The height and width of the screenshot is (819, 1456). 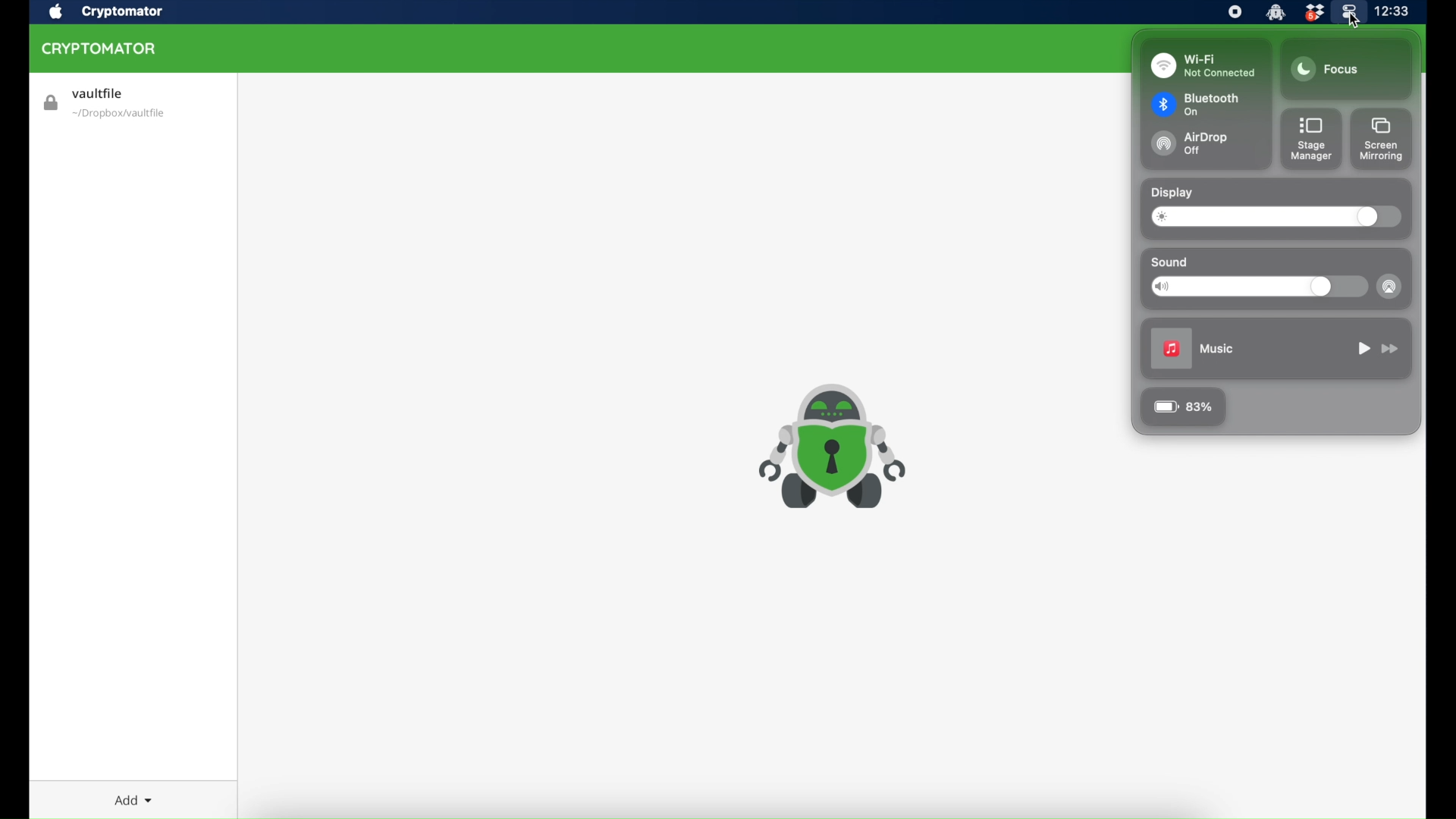 What do you see at coordinates (105, 105) in the screenshot?
I see `vaultfile` at bounding box center [105, 105].